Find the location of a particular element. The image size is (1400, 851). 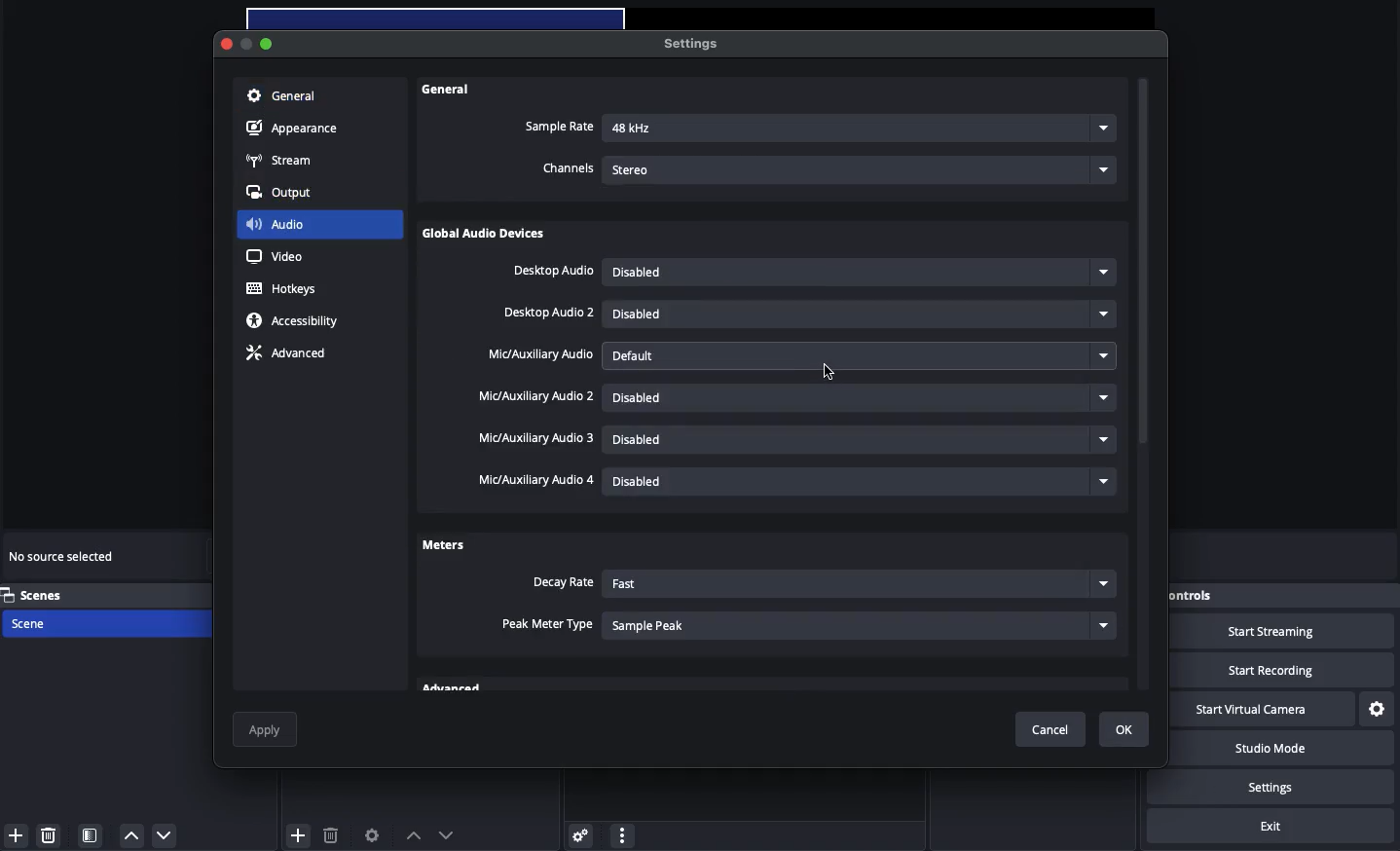

Settings is located at coordinates (577, 834).